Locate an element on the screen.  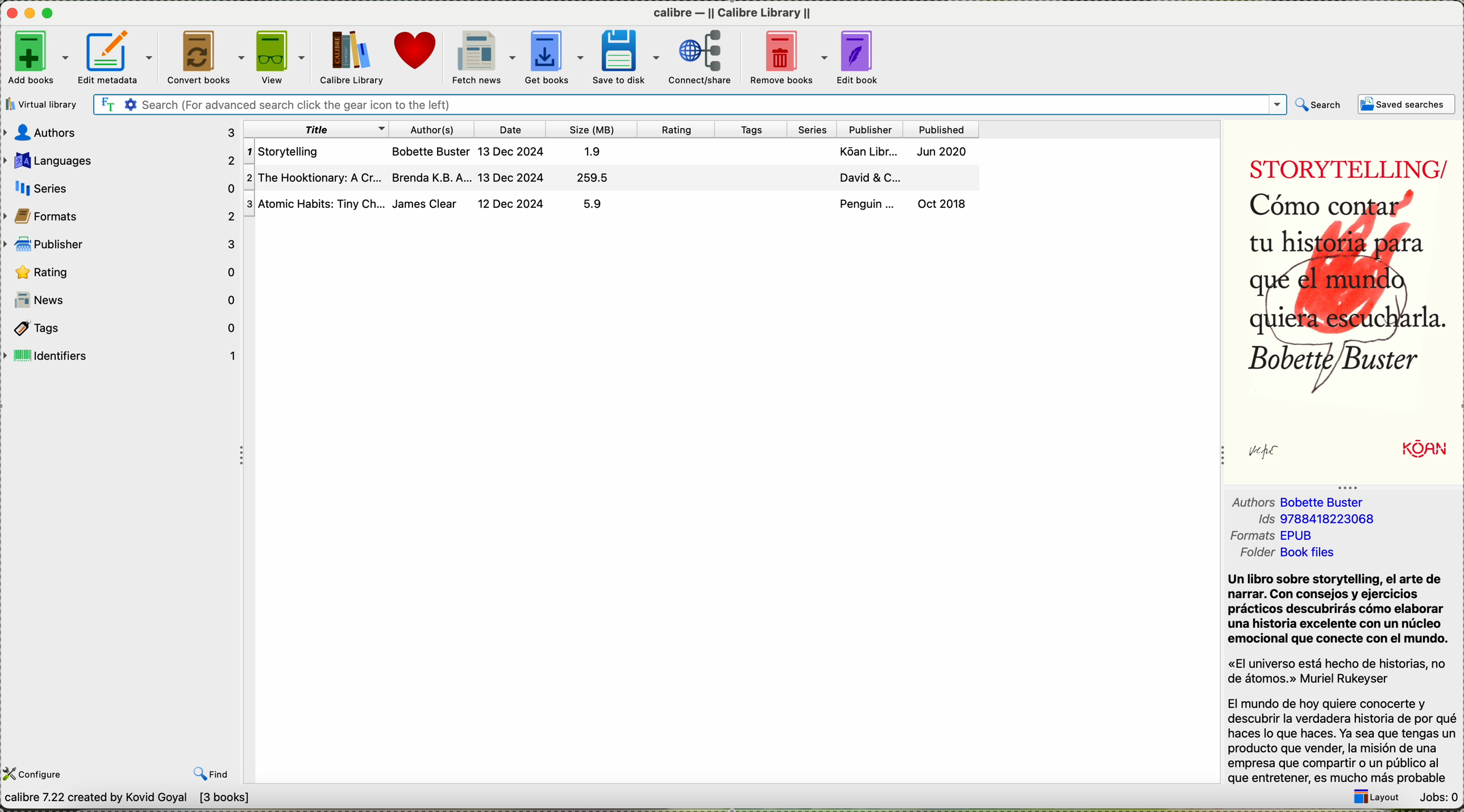
publisher is located at coordinates (875, 129).